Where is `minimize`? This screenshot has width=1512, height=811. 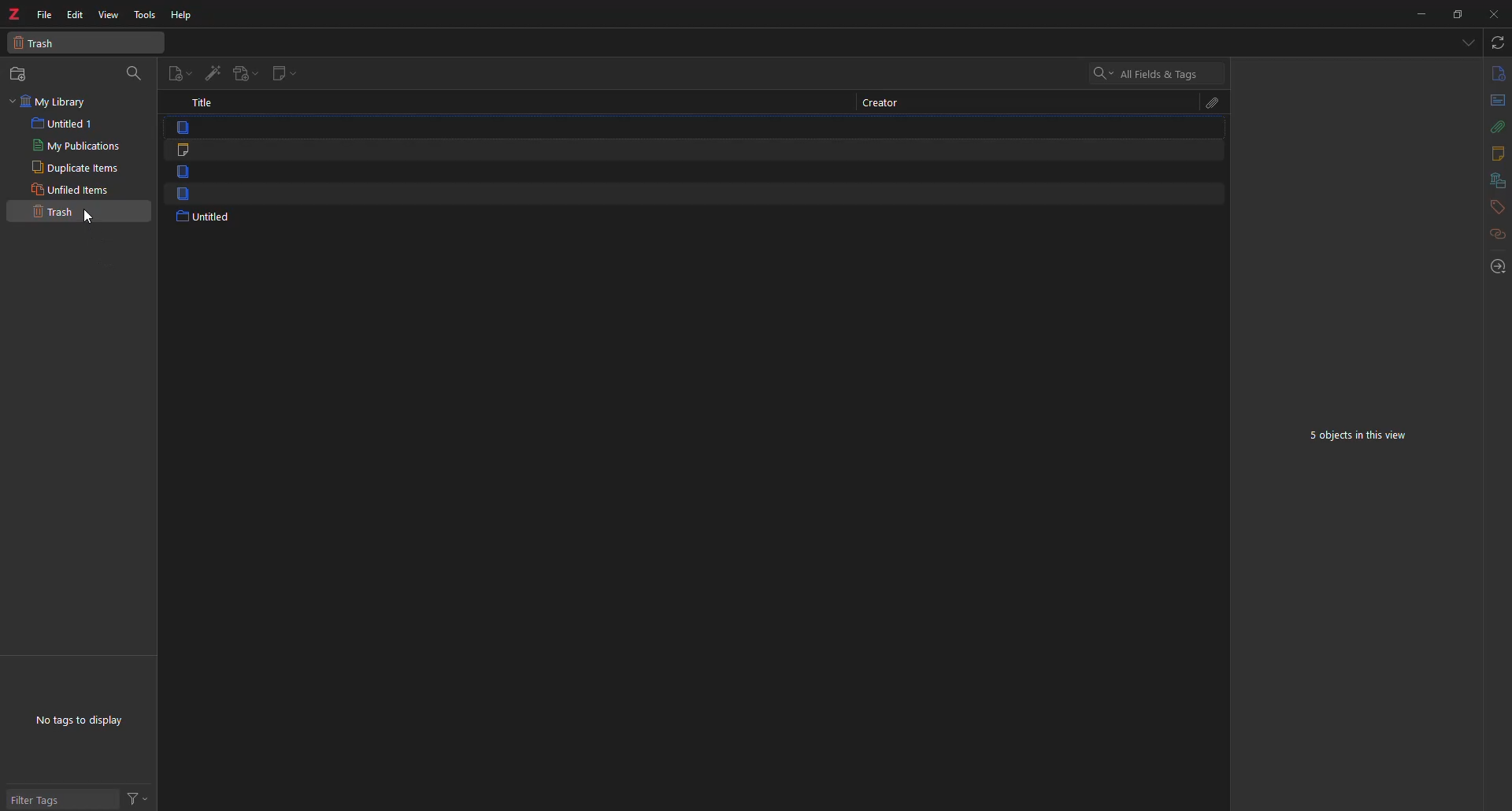 minimize is located at coordinates (1419, 14).